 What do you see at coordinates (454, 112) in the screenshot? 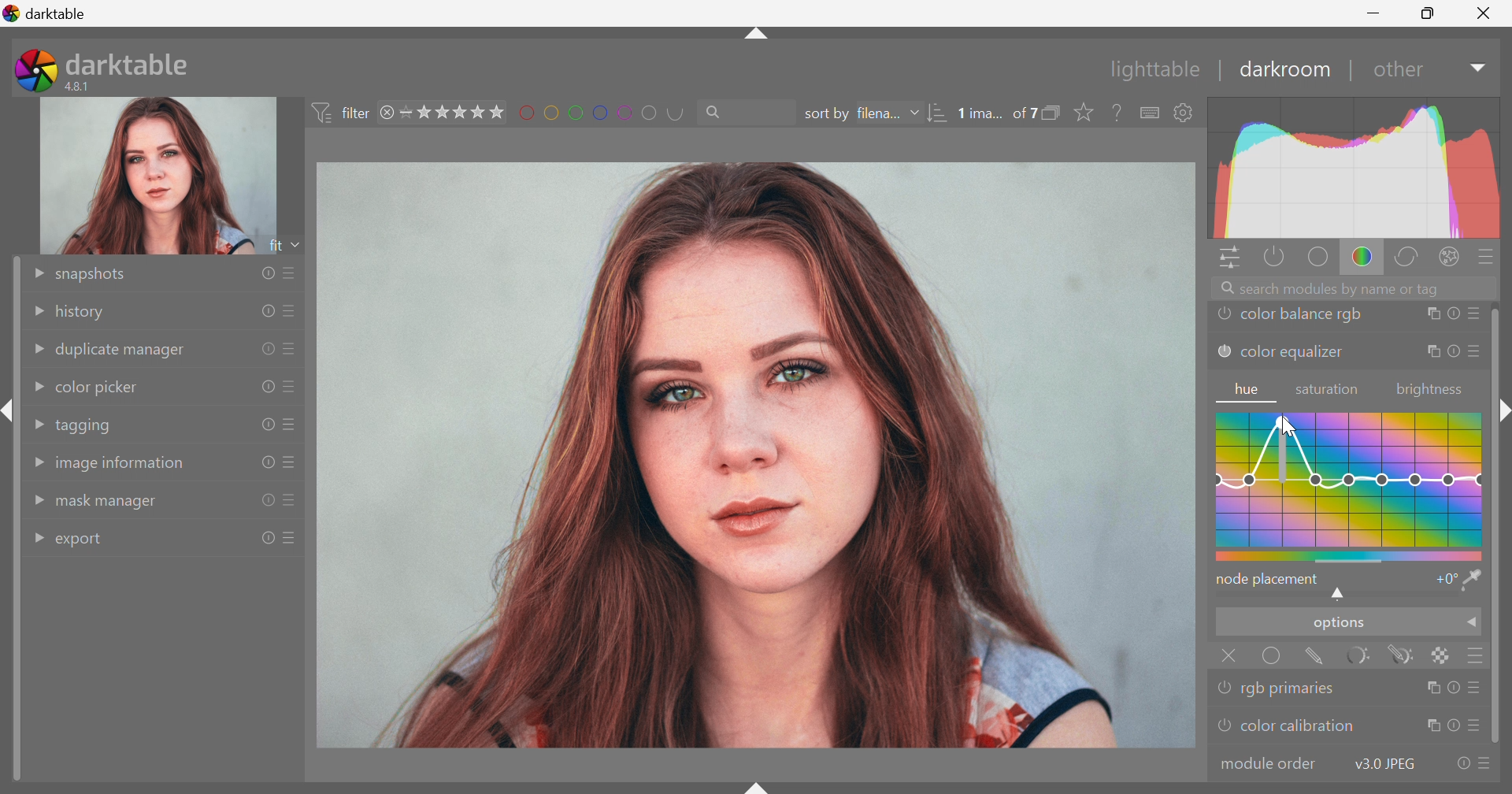
I see `range rating` at bounding box center [454, 112].